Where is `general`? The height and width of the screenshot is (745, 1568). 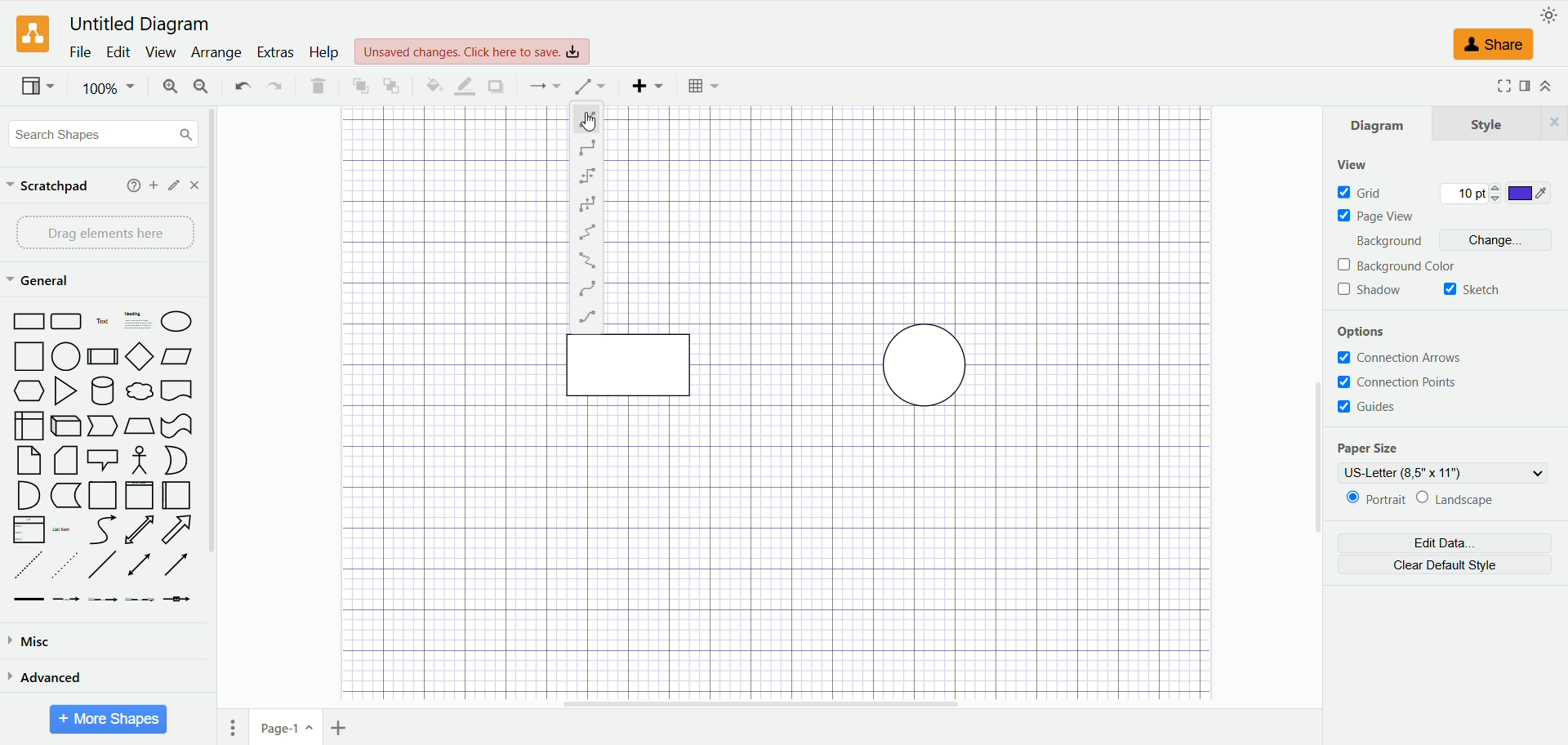
general is located at coordinates (38, 280).